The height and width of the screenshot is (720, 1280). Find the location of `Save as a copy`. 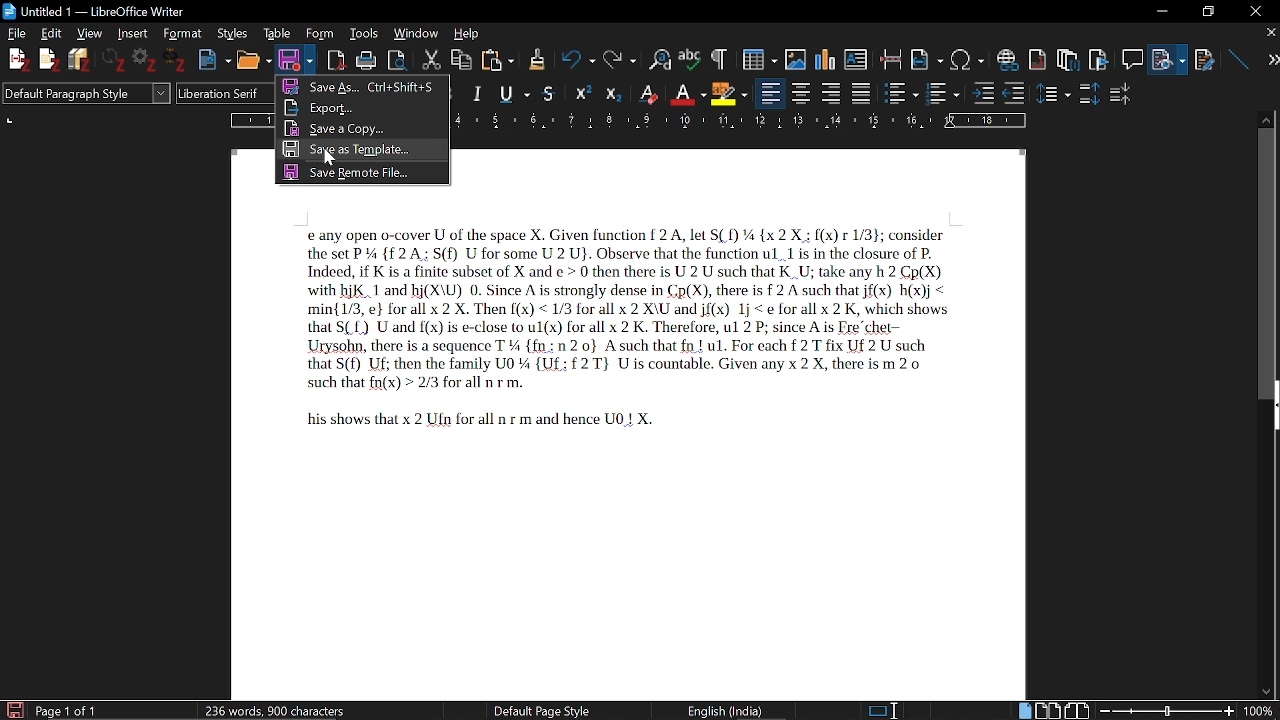

Save as a copy is located at coordinates (364, 127).